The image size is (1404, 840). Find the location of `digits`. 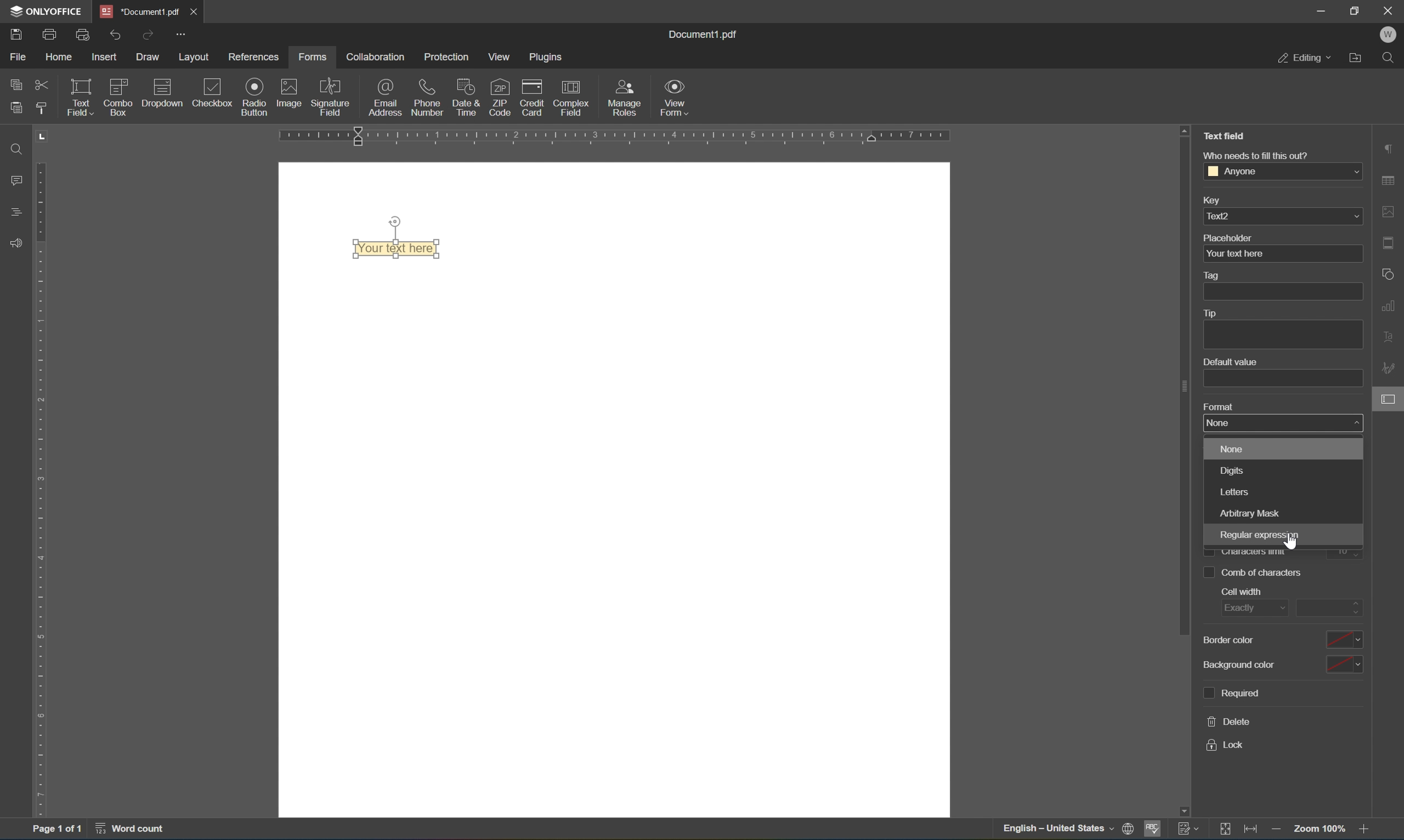

digits is located at coordinates (1235, 470).